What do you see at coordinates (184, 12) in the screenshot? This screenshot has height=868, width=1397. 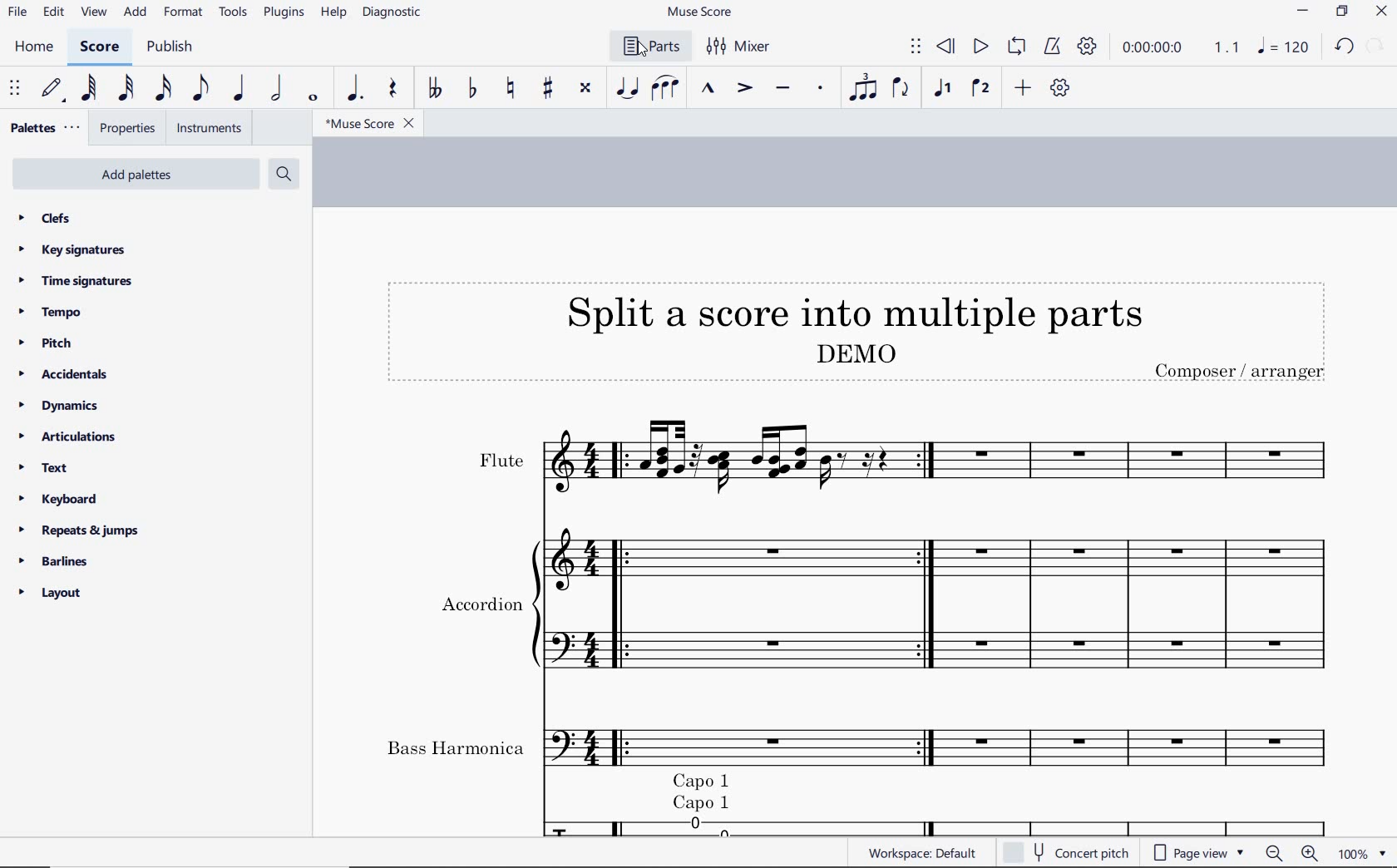 I see `format` at bounding box center [184, 12].